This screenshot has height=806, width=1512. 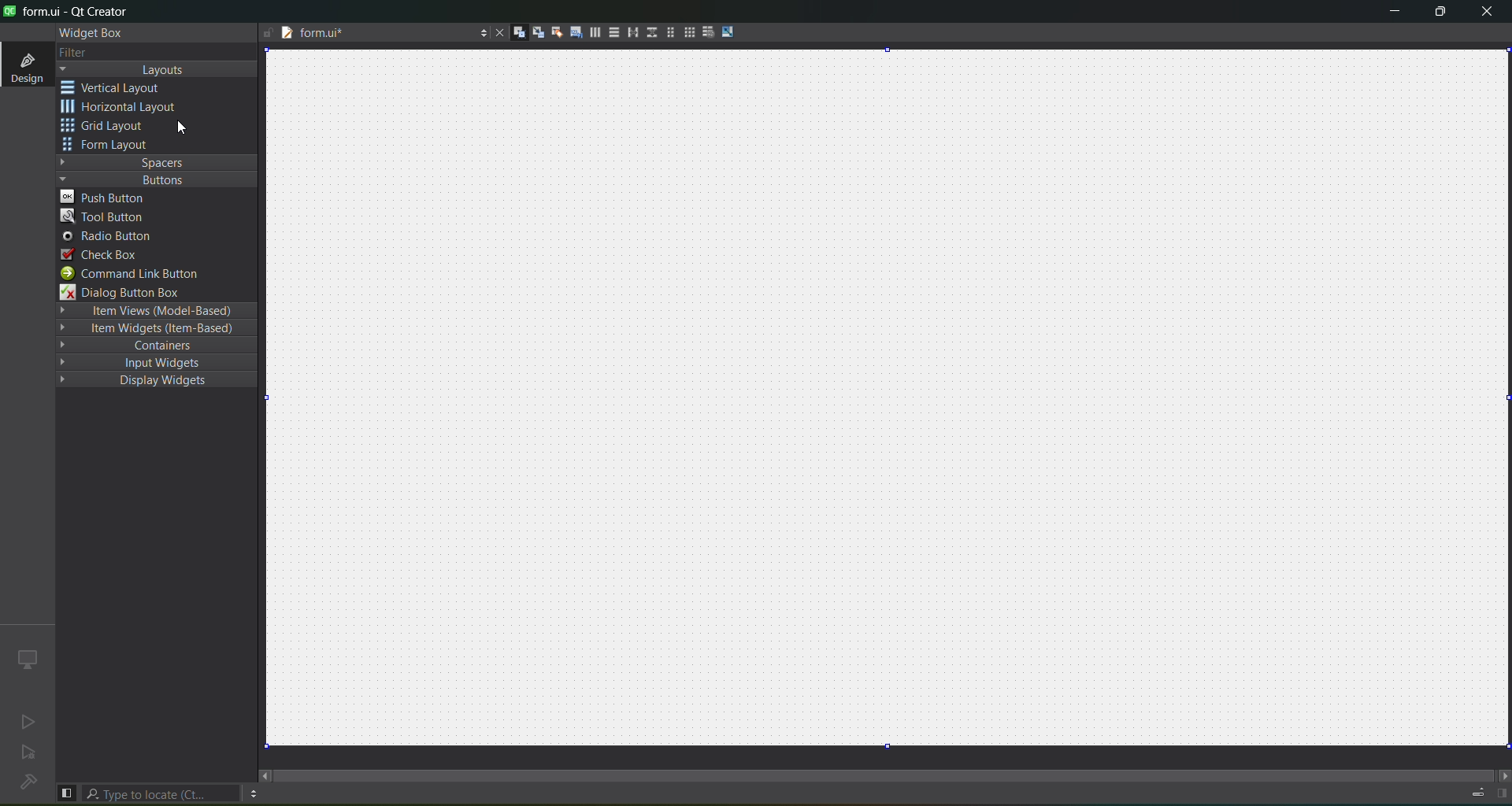 What do you see at coordinates (26, 658) in the screenshot?
I see `icon` at bounding box center [26, 658].